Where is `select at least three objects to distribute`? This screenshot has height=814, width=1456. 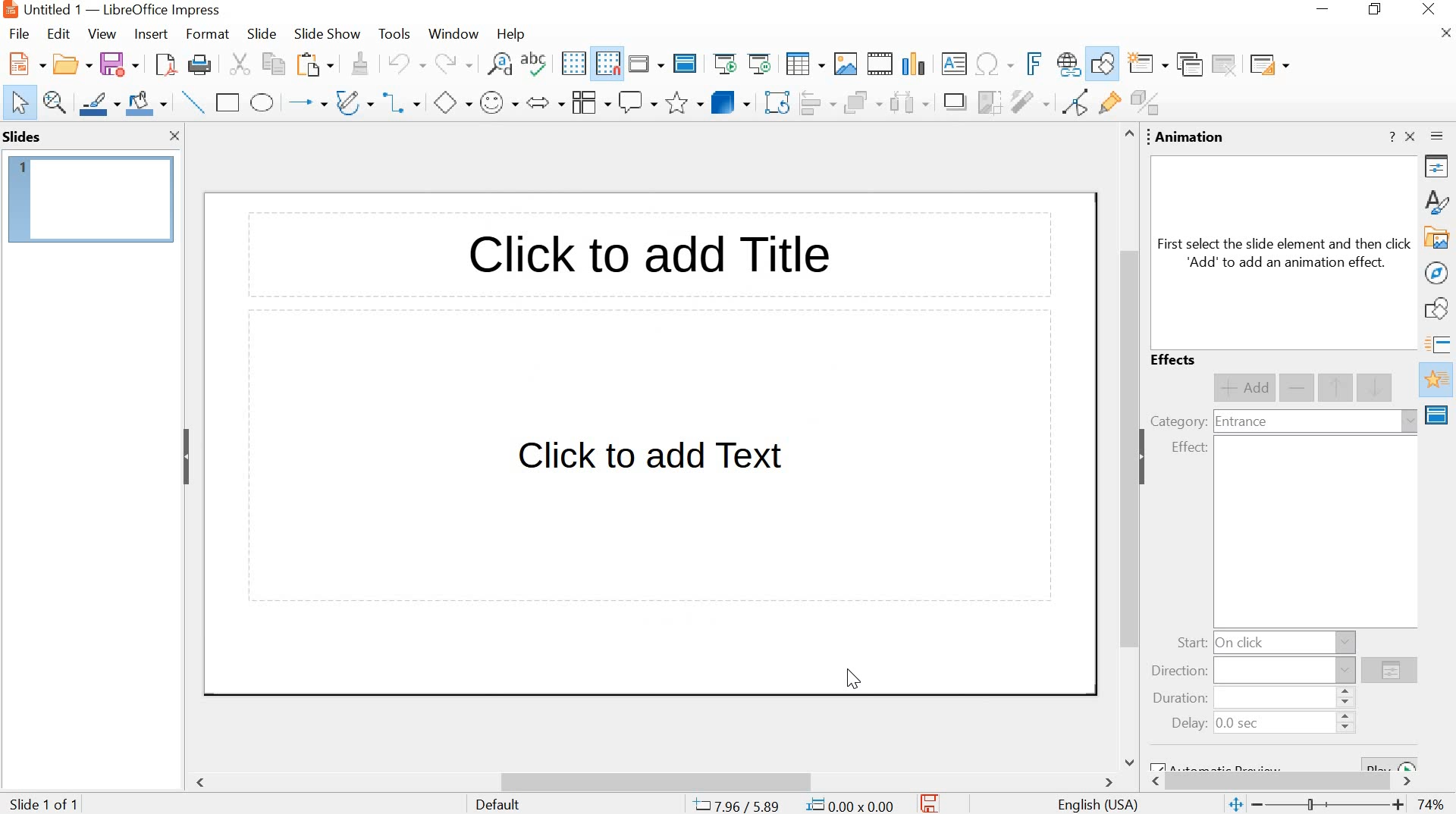
select at least three objects to distribute is located at coordinates (908, 104).